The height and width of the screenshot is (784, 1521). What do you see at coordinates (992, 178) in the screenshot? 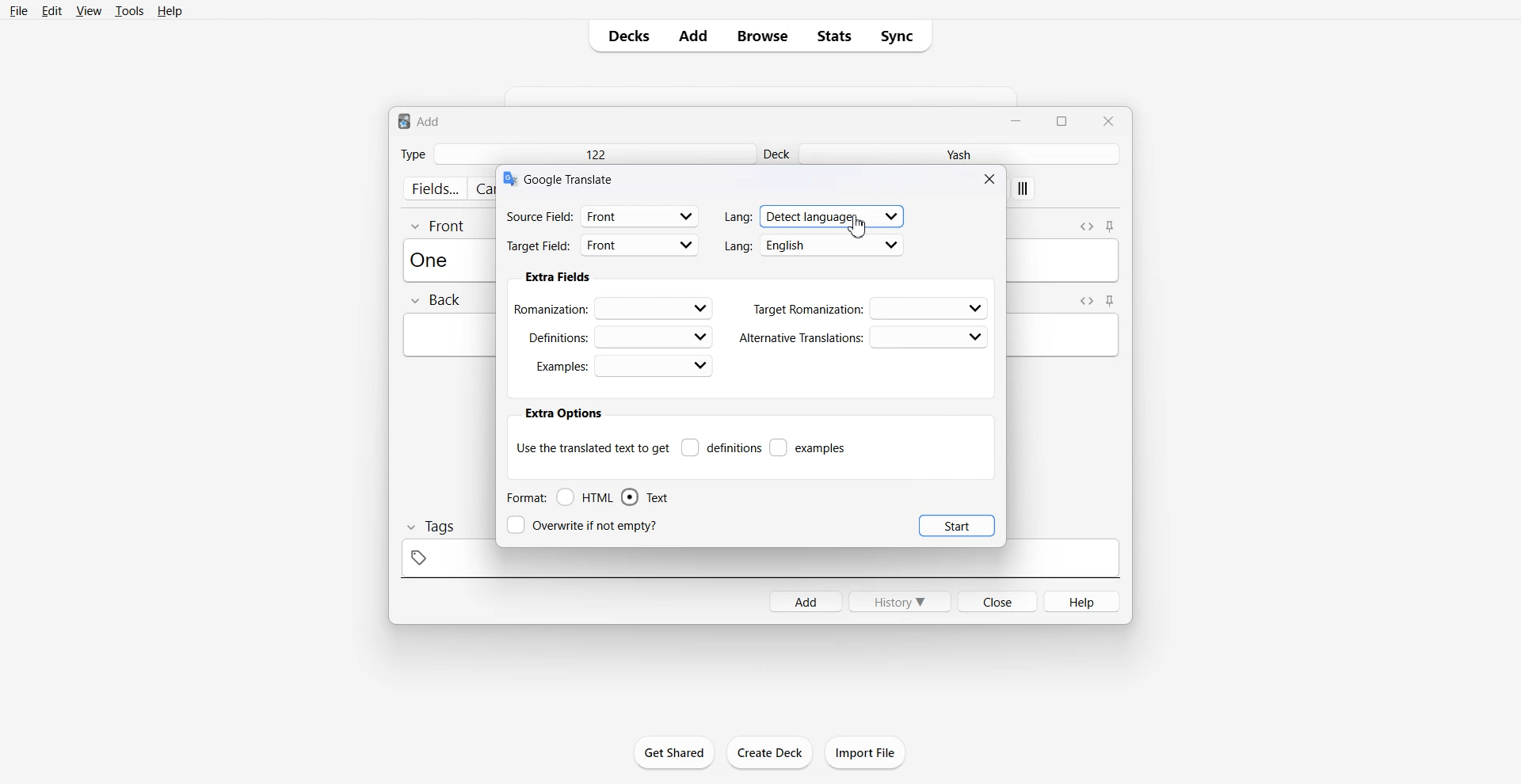
I see `Close` at bounding box center [992, 178].